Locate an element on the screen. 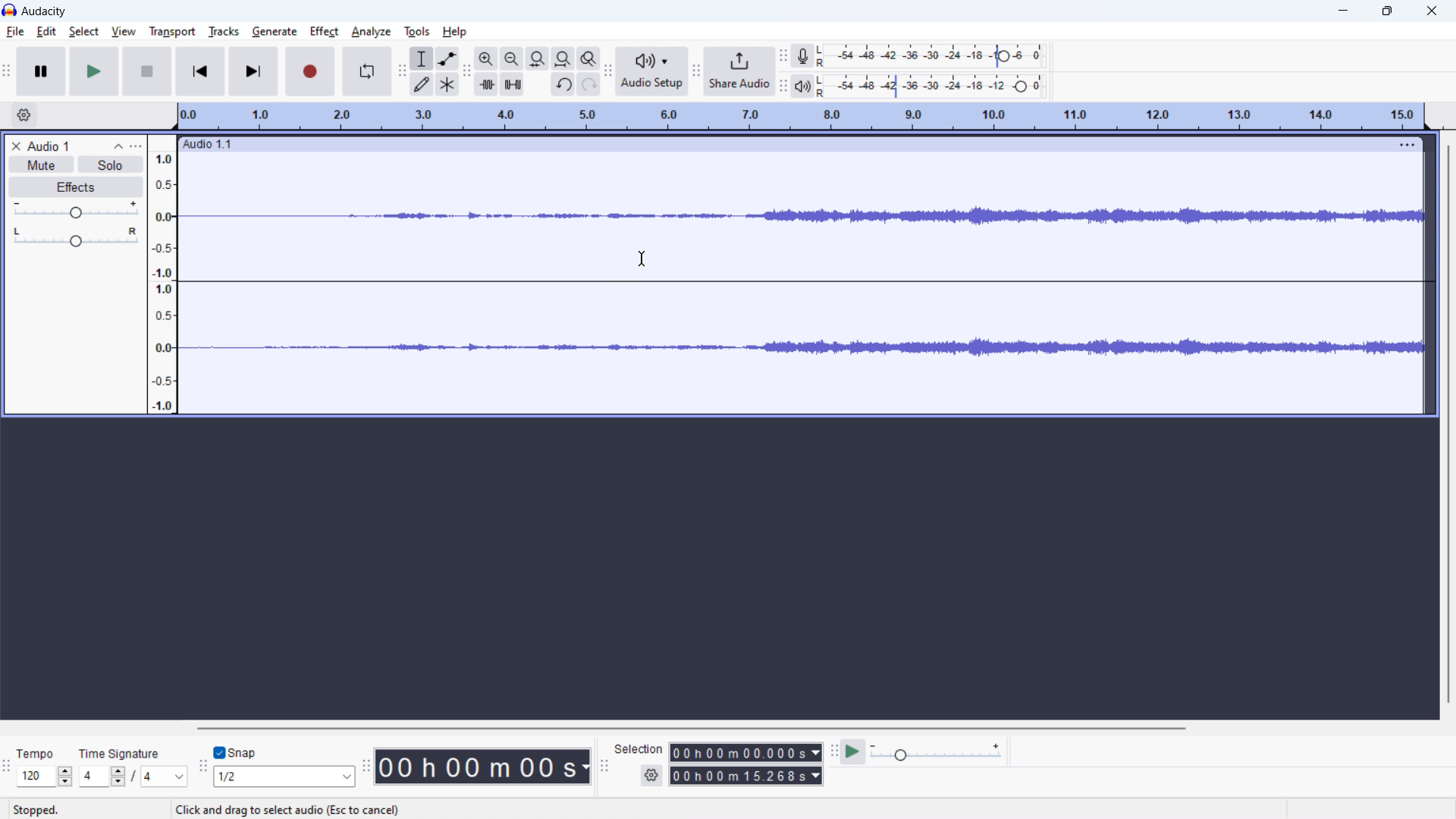 The width and height of the screenshot is (1456, 819). pan: center is located at coordinates (76, 237).